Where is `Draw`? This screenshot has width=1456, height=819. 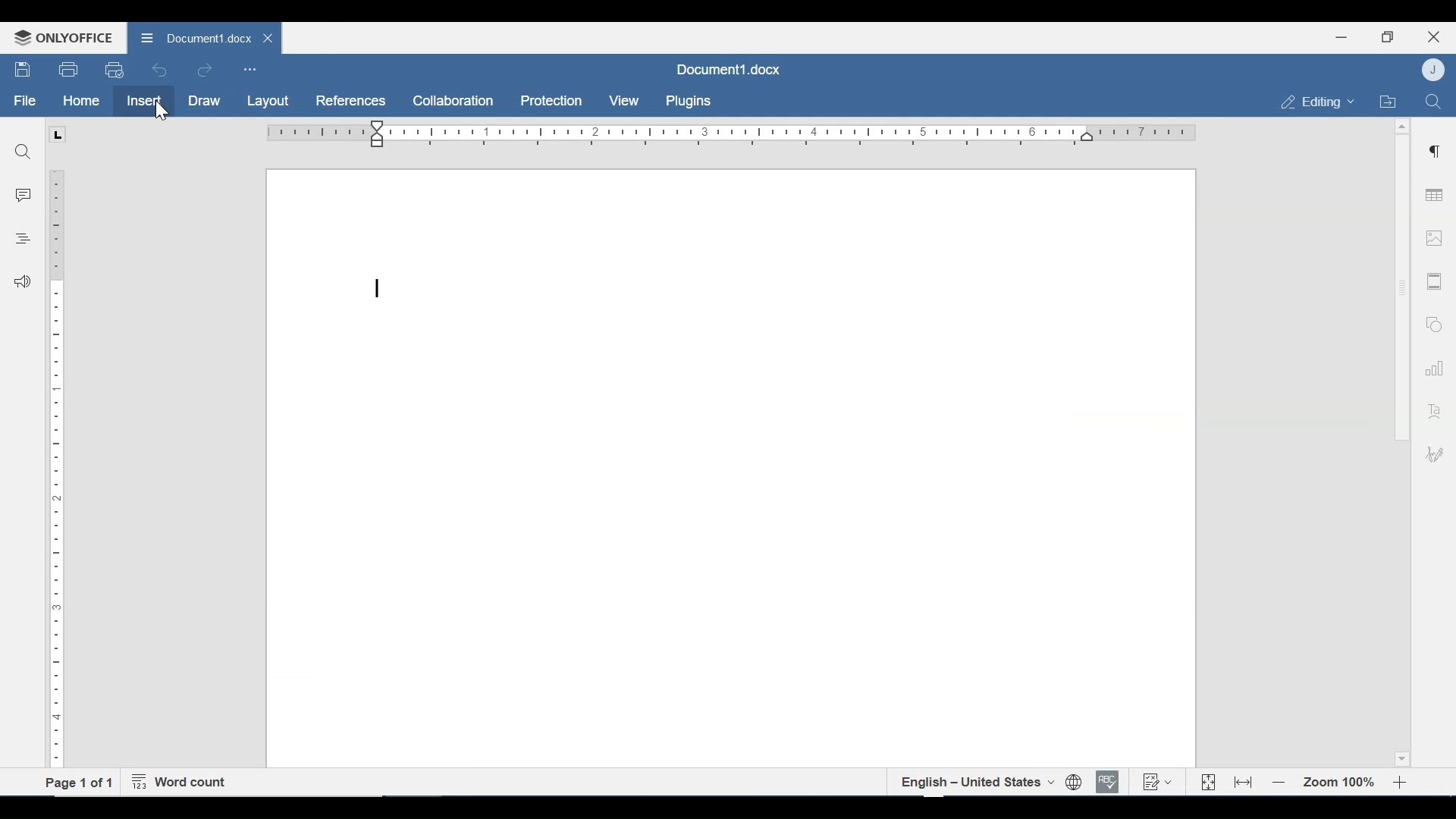
Draw is located at coordinates (204, 102).